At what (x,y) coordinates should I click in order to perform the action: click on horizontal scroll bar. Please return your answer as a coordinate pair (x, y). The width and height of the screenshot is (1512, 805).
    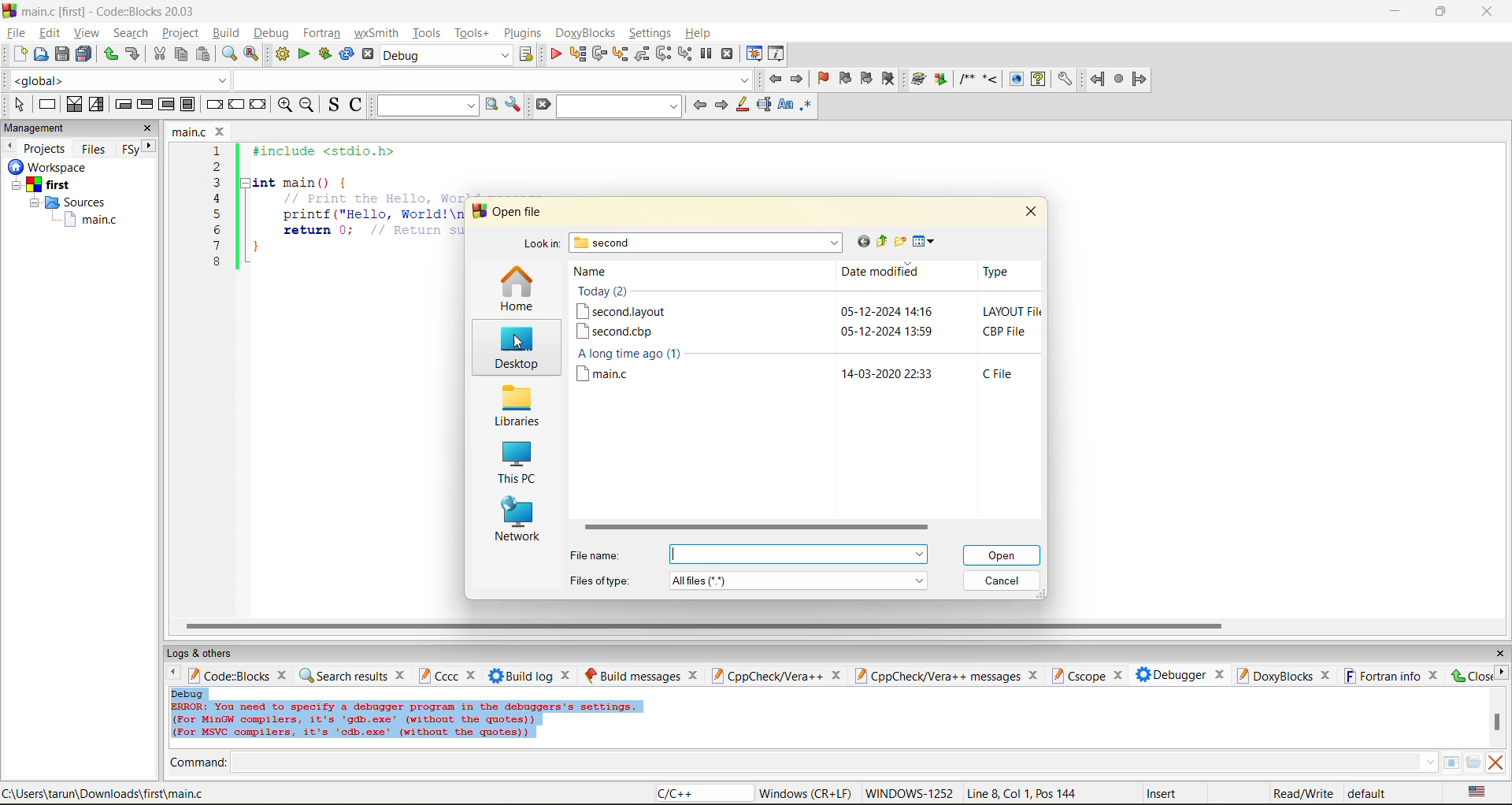
    Looking at the image, I should click on (703, 626).